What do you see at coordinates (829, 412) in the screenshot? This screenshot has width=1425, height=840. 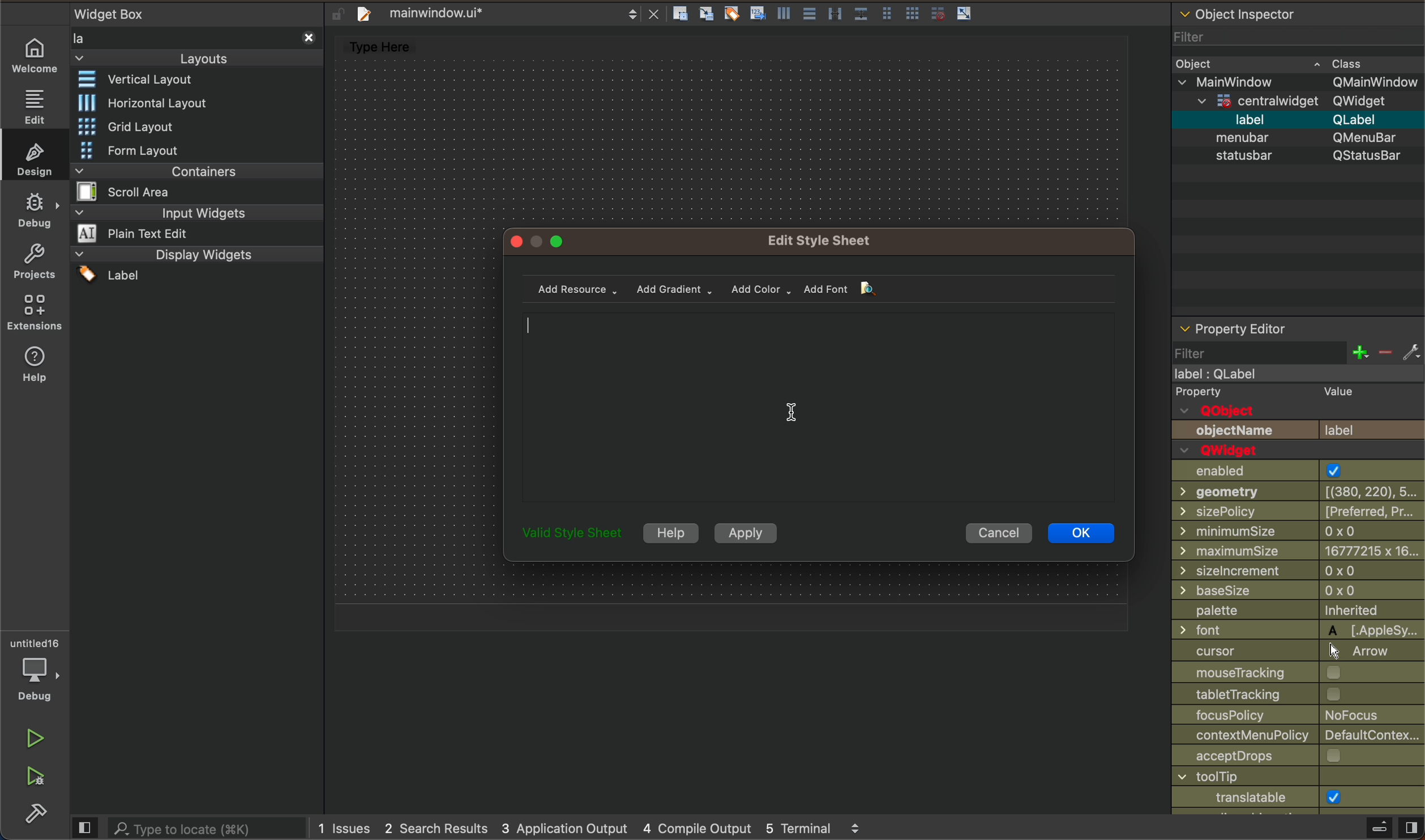 I see `editor` at bounding box center [829, 412].